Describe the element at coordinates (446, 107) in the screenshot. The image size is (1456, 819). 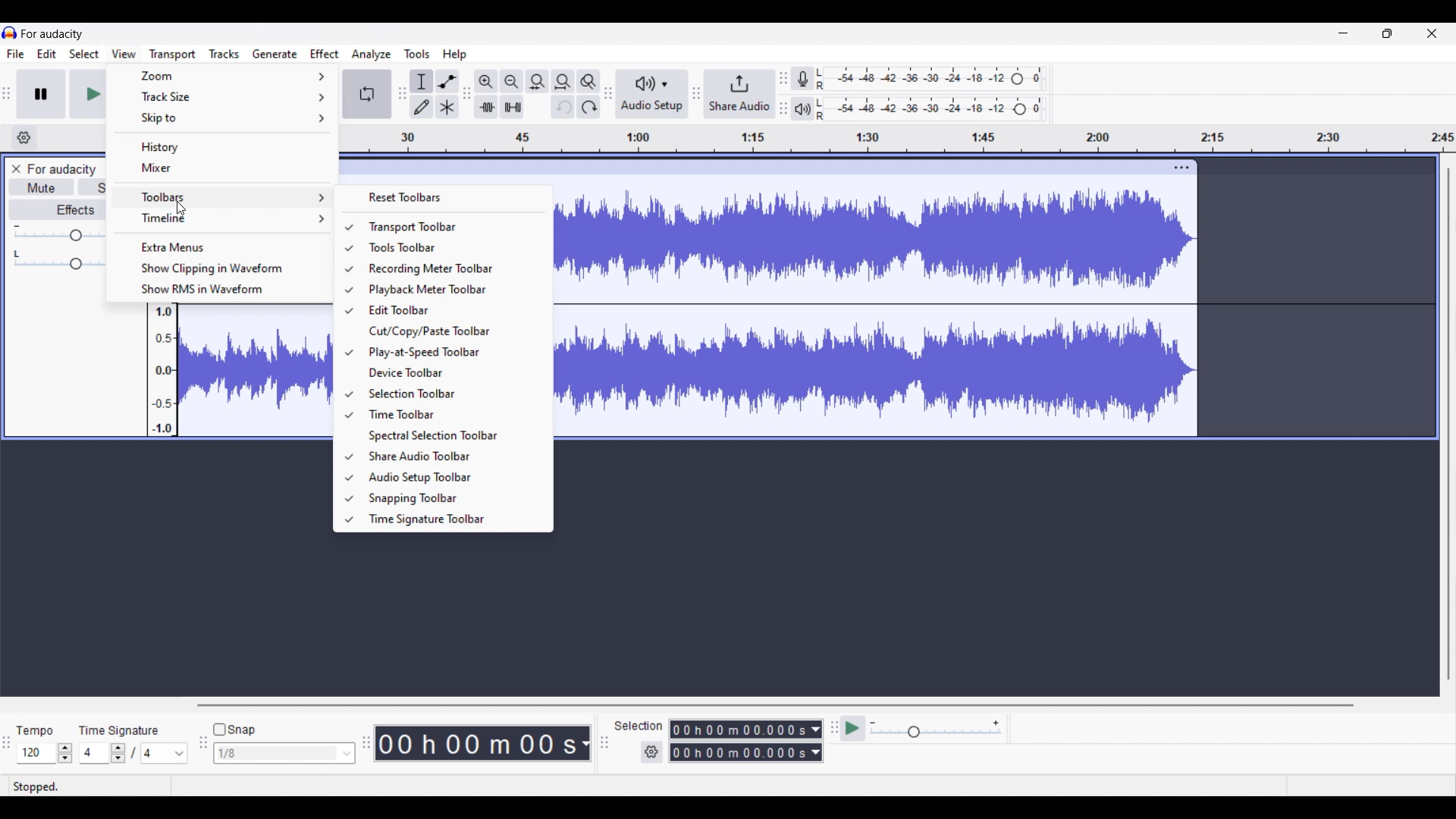
I see `Multi tool` at that location.